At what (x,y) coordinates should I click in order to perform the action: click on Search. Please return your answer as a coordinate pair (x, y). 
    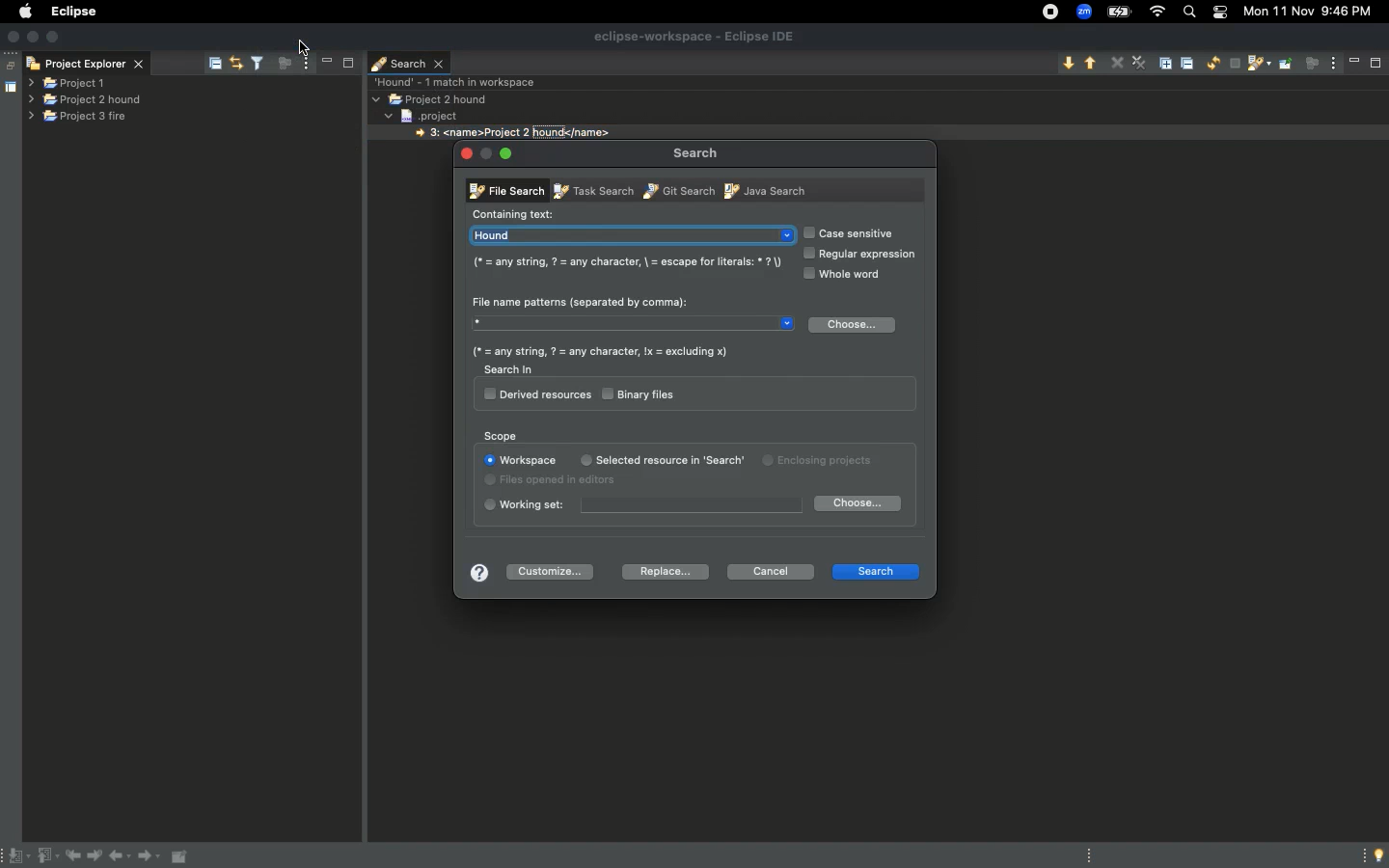
    Looking at the image, I should click on (409, 62).